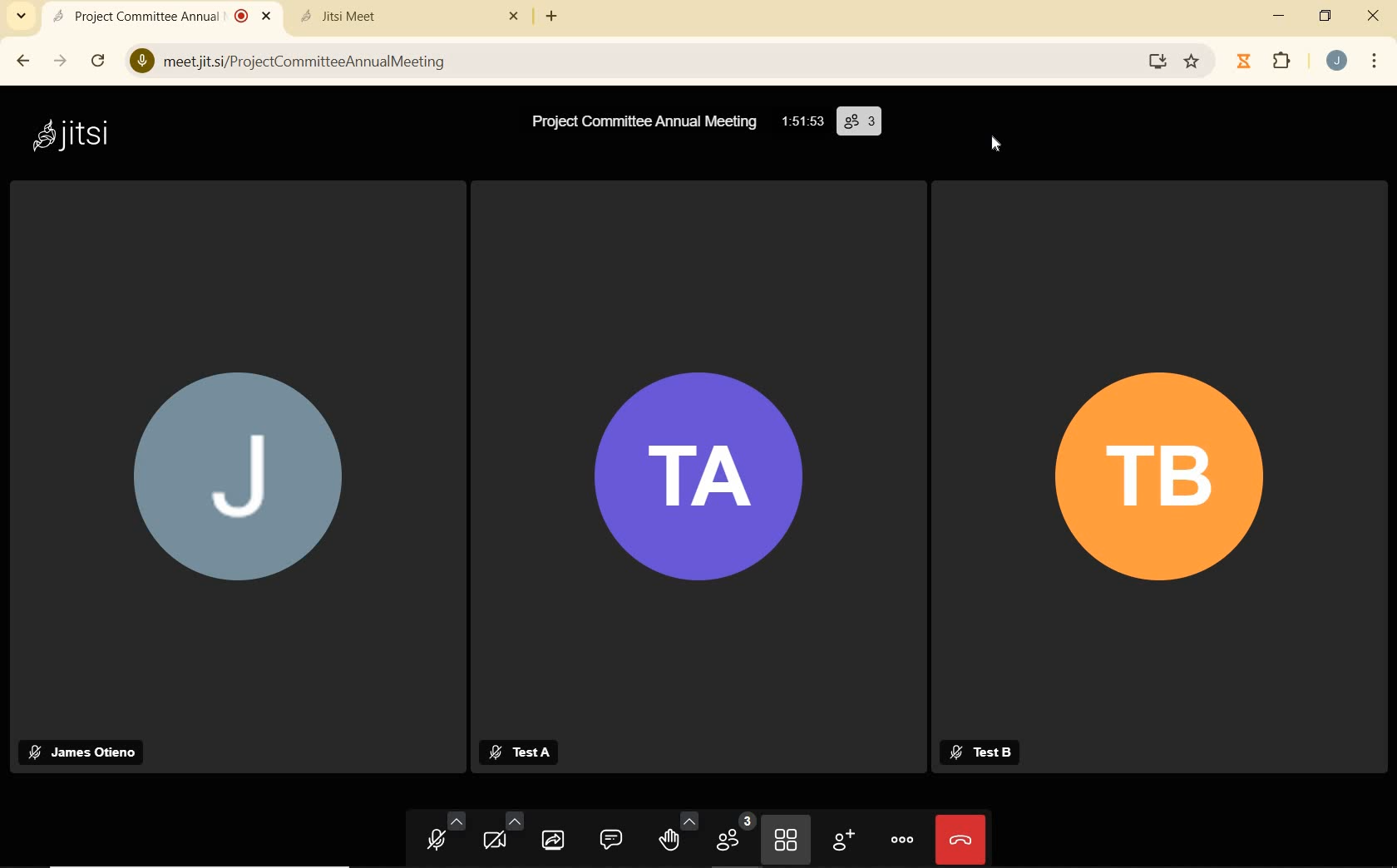 This screenshot has width=1397, height=868. What do you see at coordinates (1161, 480) in the screenshot?
I see `participant's Profile Picture` at bounding box center [1161, 480].